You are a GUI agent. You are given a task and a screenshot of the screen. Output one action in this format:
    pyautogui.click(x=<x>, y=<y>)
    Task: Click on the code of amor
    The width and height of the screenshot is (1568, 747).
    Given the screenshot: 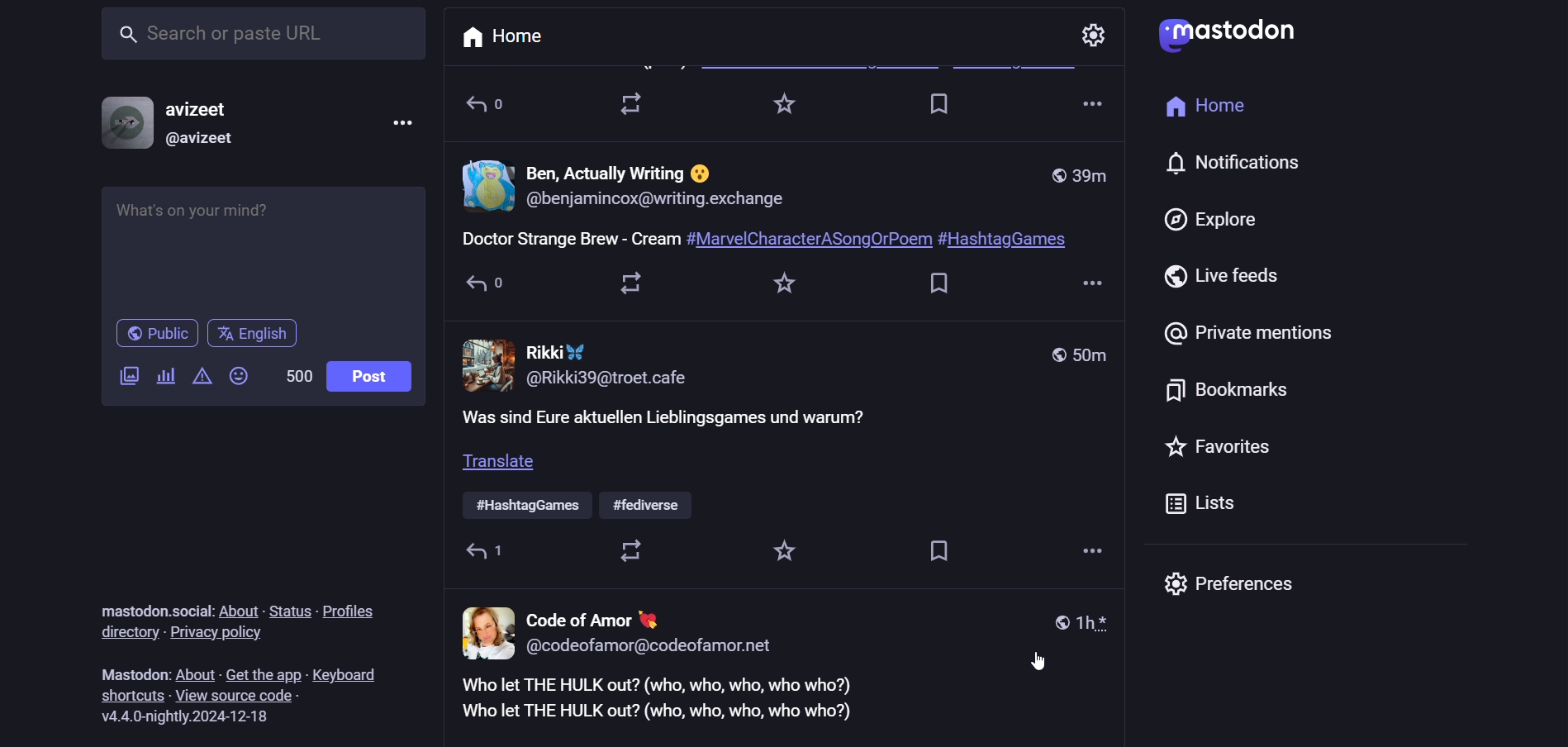 What is the action you would take?
    pyautogui.click(x=589, y=621)
    